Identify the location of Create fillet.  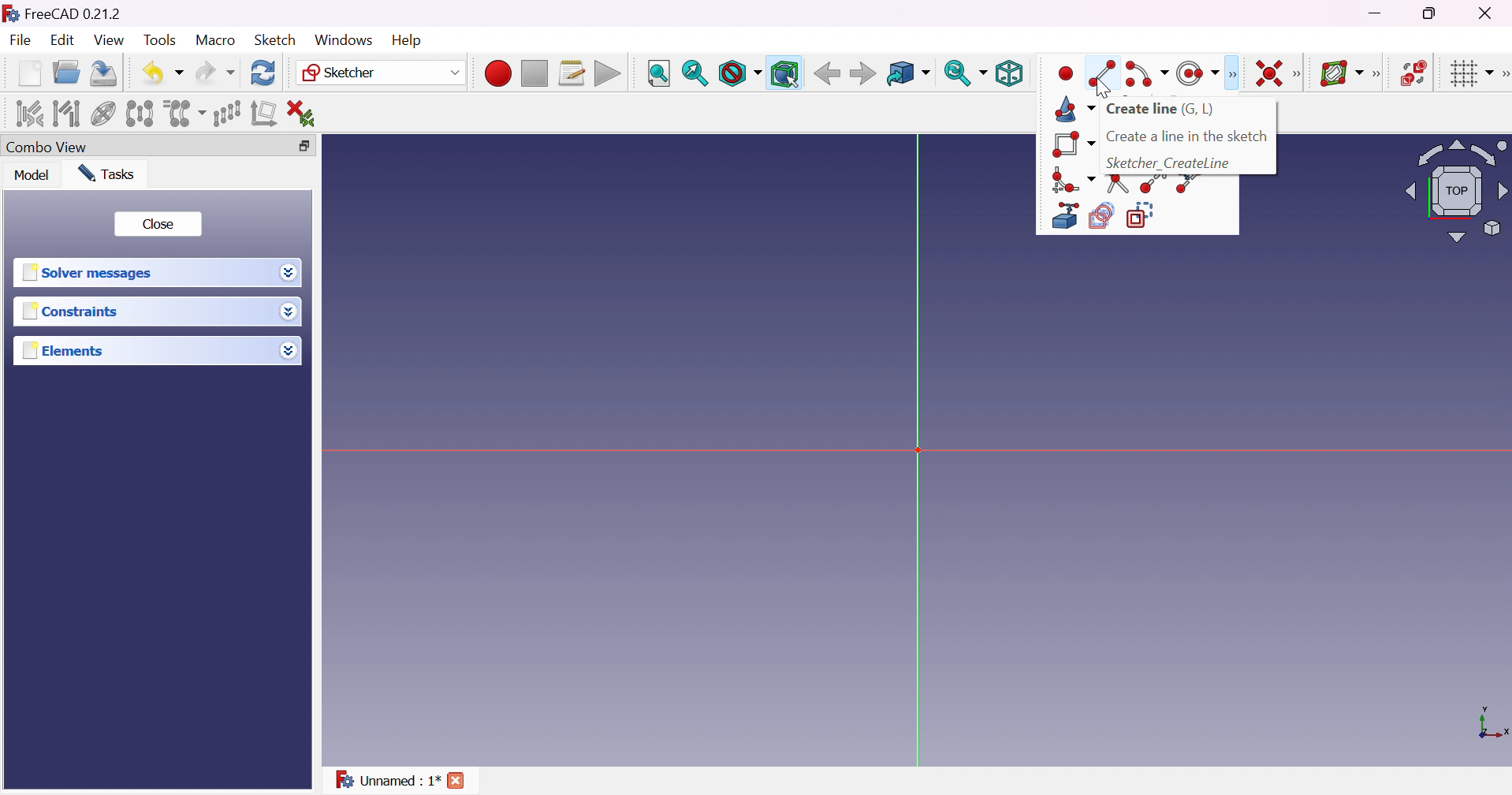
(1072, 179).